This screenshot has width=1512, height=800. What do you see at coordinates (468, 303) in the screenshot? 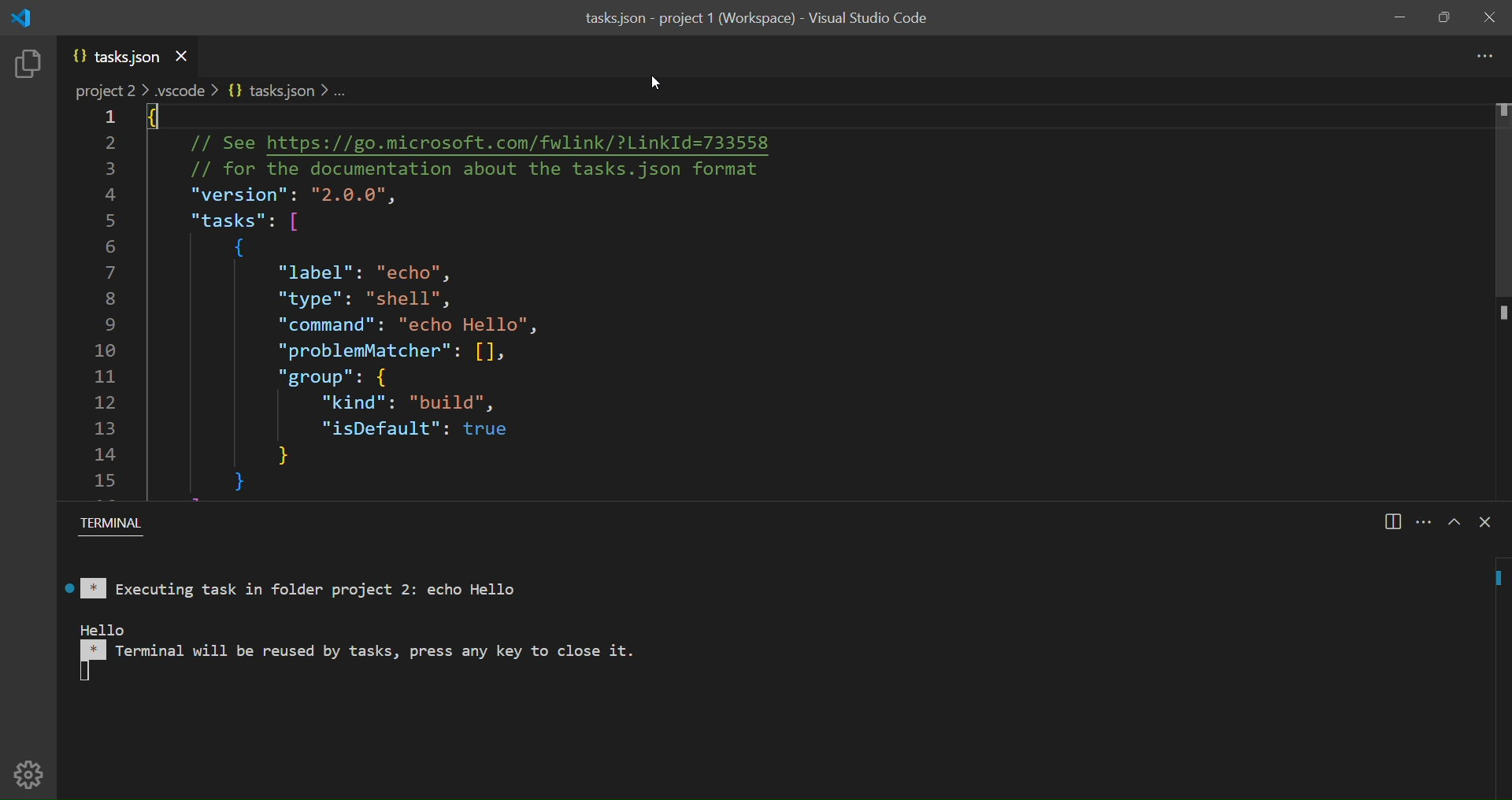
I see `:
// See https://go.microsoft.com/fwlink/?LinkId=733558
// for the documentation about the tasks.json format
"version": "2.0.0",
"tasks": [
{
"label": "echo",
"type": "shell",
"command": "echo Hello",
“problemMatcher": [],
"group": {
"kind": "build",
"isDefault": true
}
}` at bounding box center [468, 303].